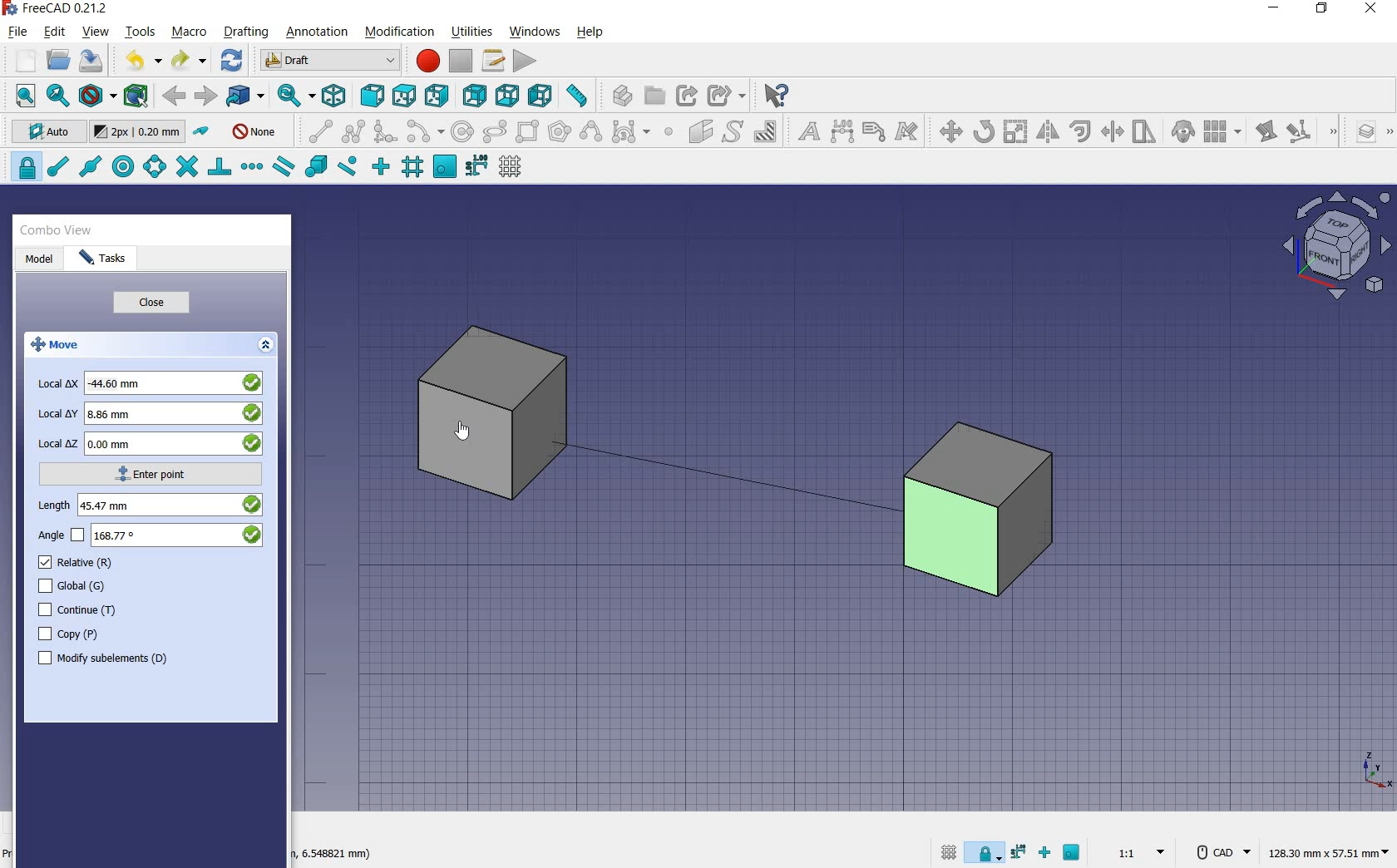 The width and height of the screenshot is (1397, 868). What do you see at coordinates (425, 131) in the screenshot?
I see `arc tools` at bounding box center [425, 131].